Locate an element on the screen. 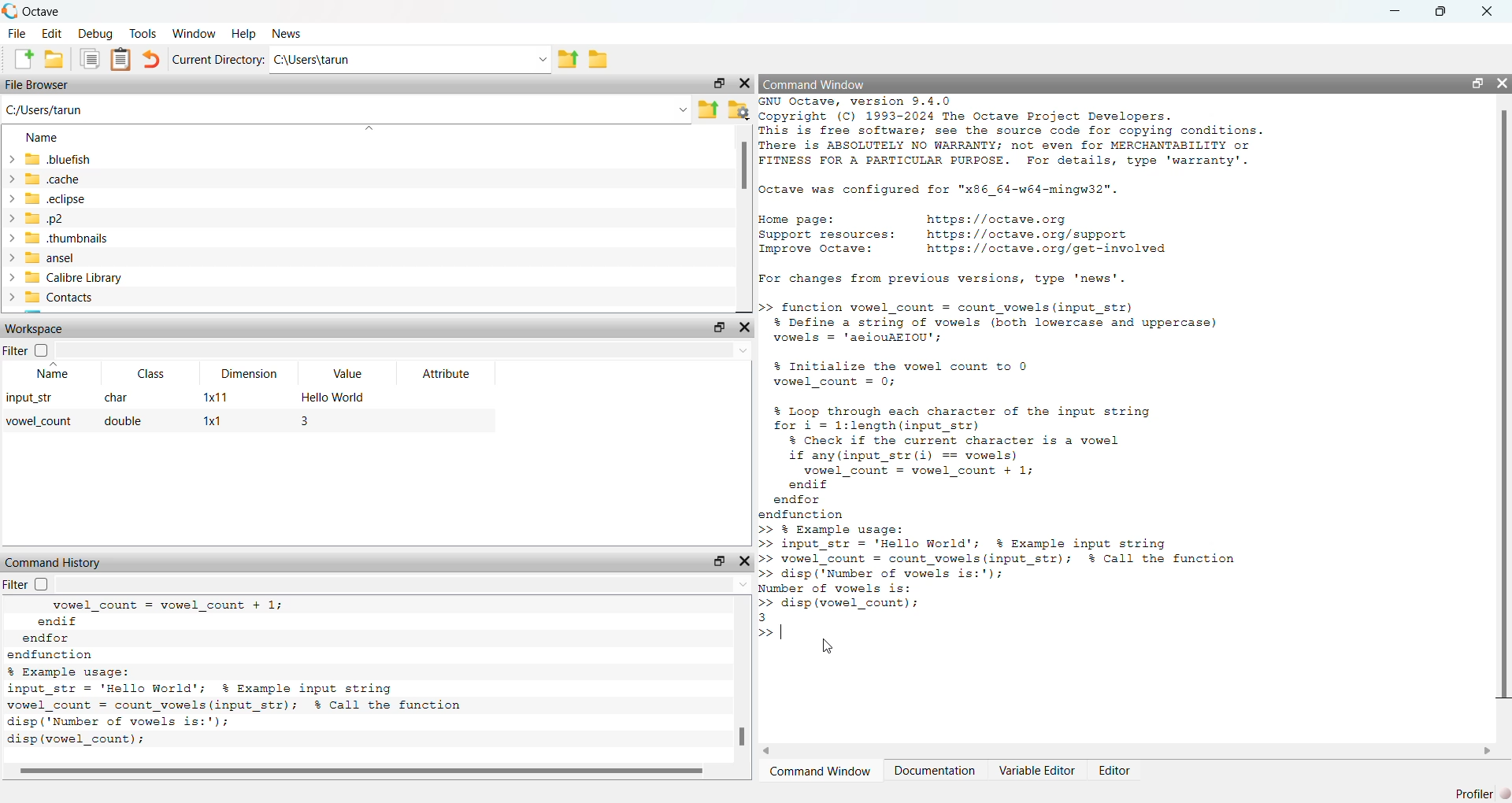 This screenshot has width=1512, height=803. Value is located at coordinates (349, 372).